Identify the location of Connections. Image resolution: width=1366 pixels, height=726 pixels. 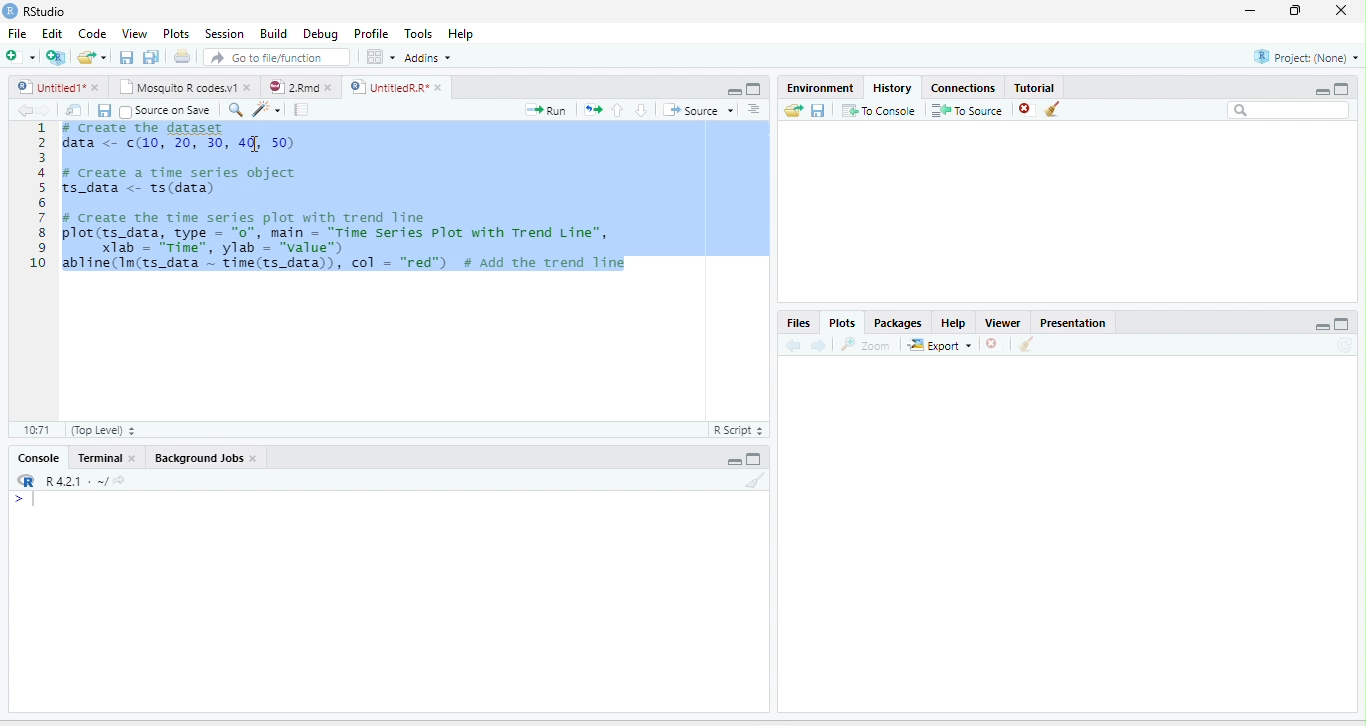
(964, 86).